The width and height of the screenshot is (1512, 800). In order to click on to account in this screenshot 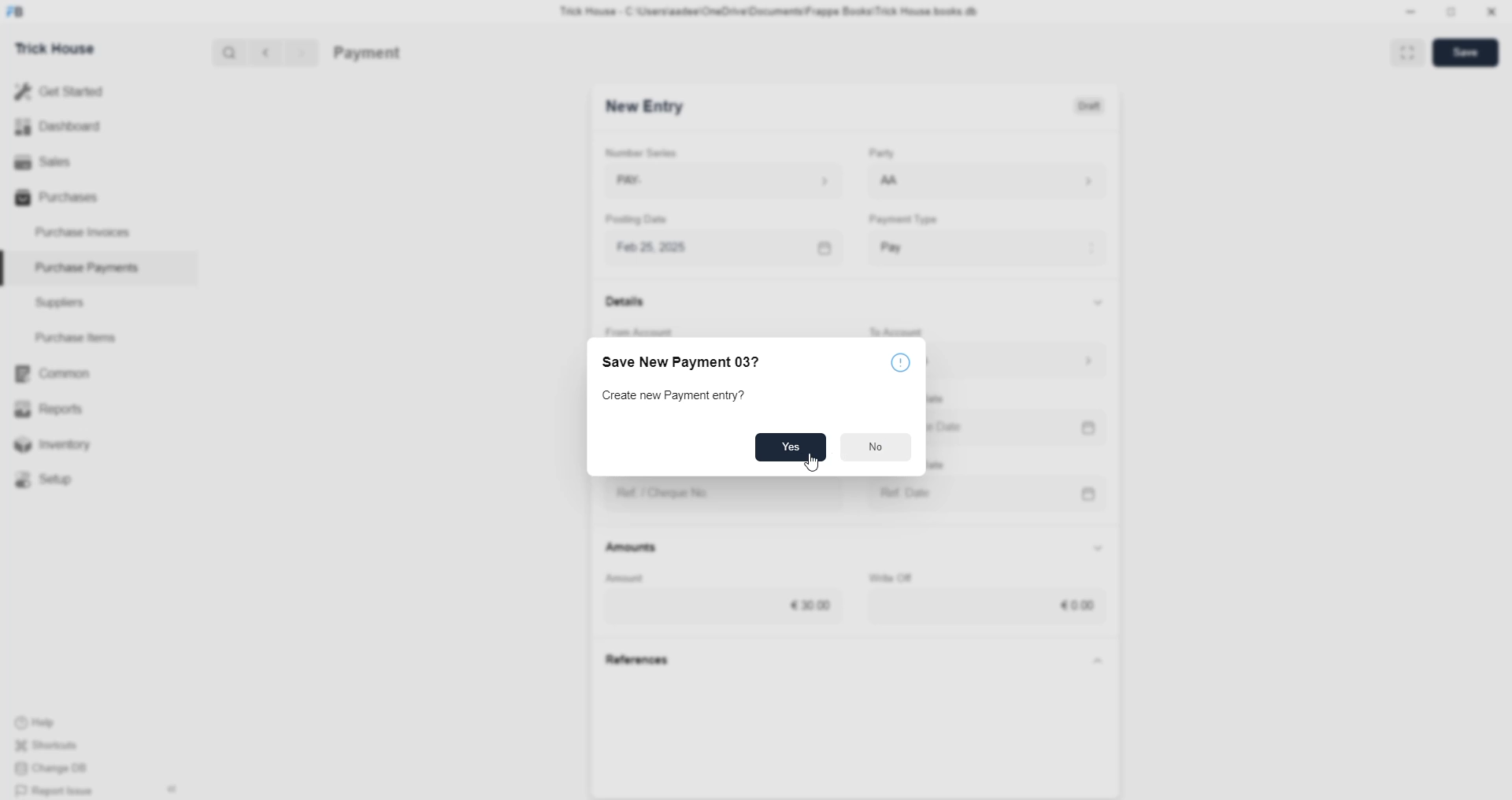, I will do `click(916, 328)`.